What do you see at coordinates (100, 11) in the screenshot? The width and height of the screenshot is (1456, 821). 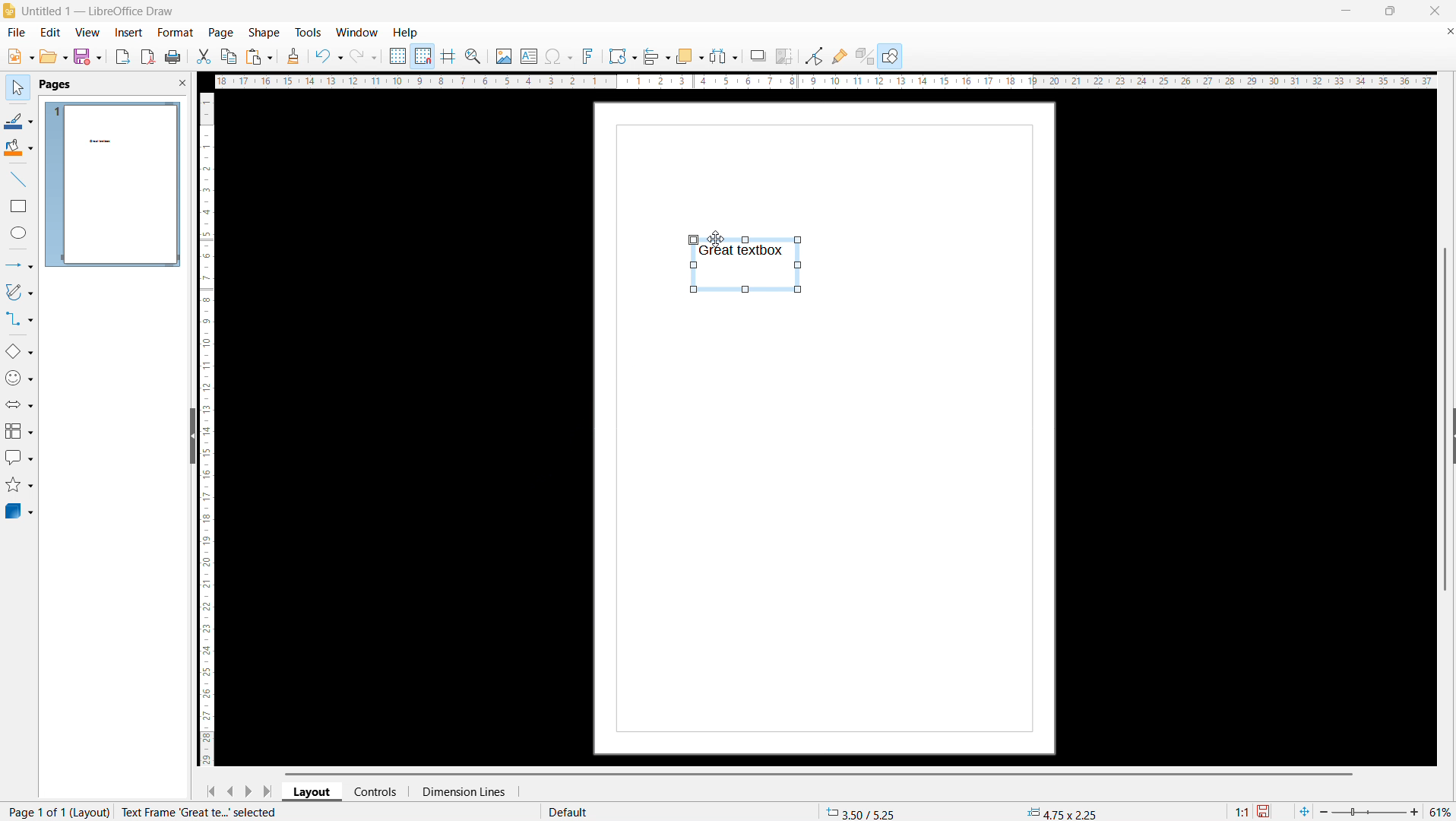 I see `document title` at bounding box center [100, 11].